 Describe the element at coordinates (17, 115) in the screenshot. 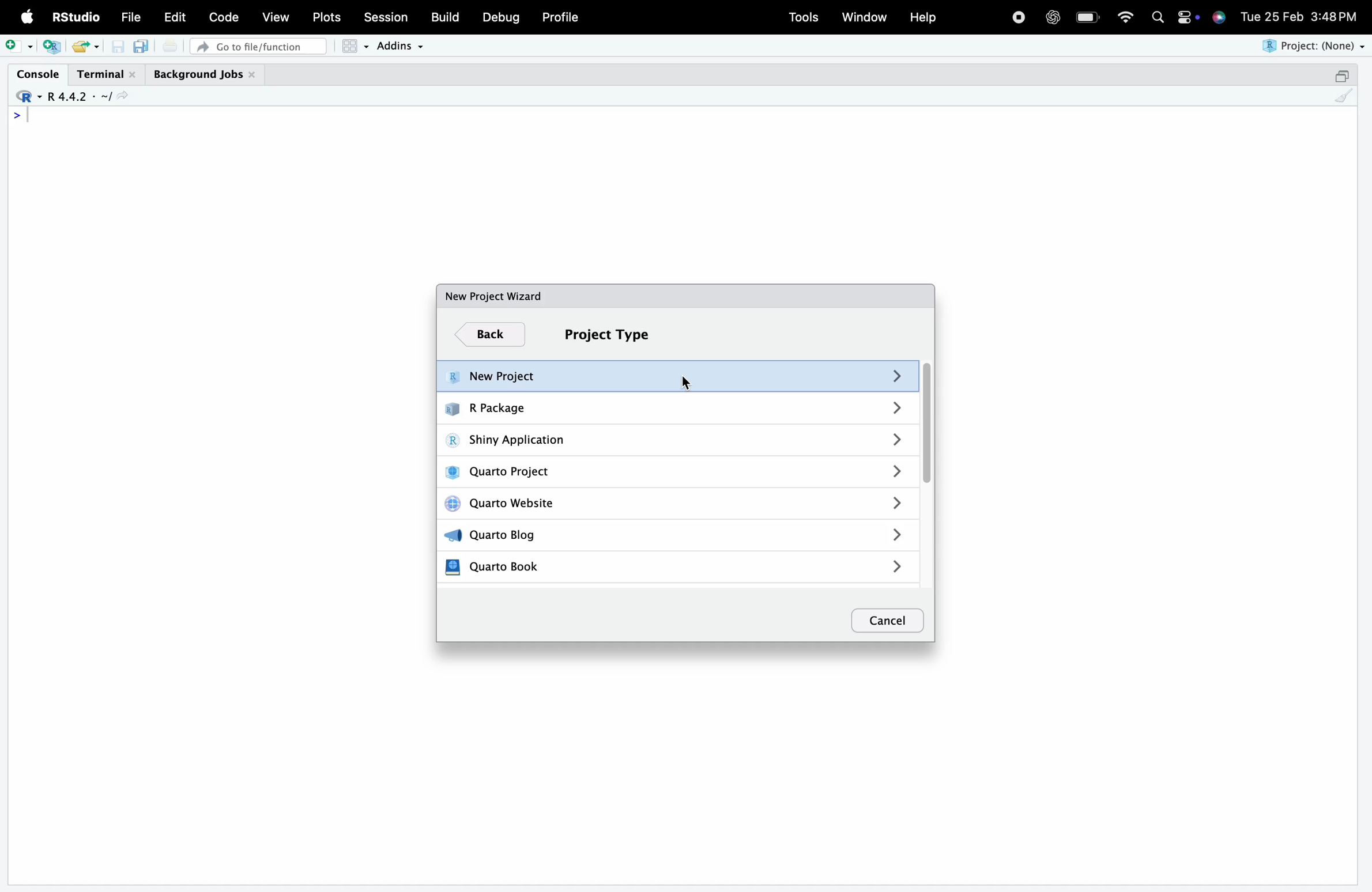

I see `>` at that location.